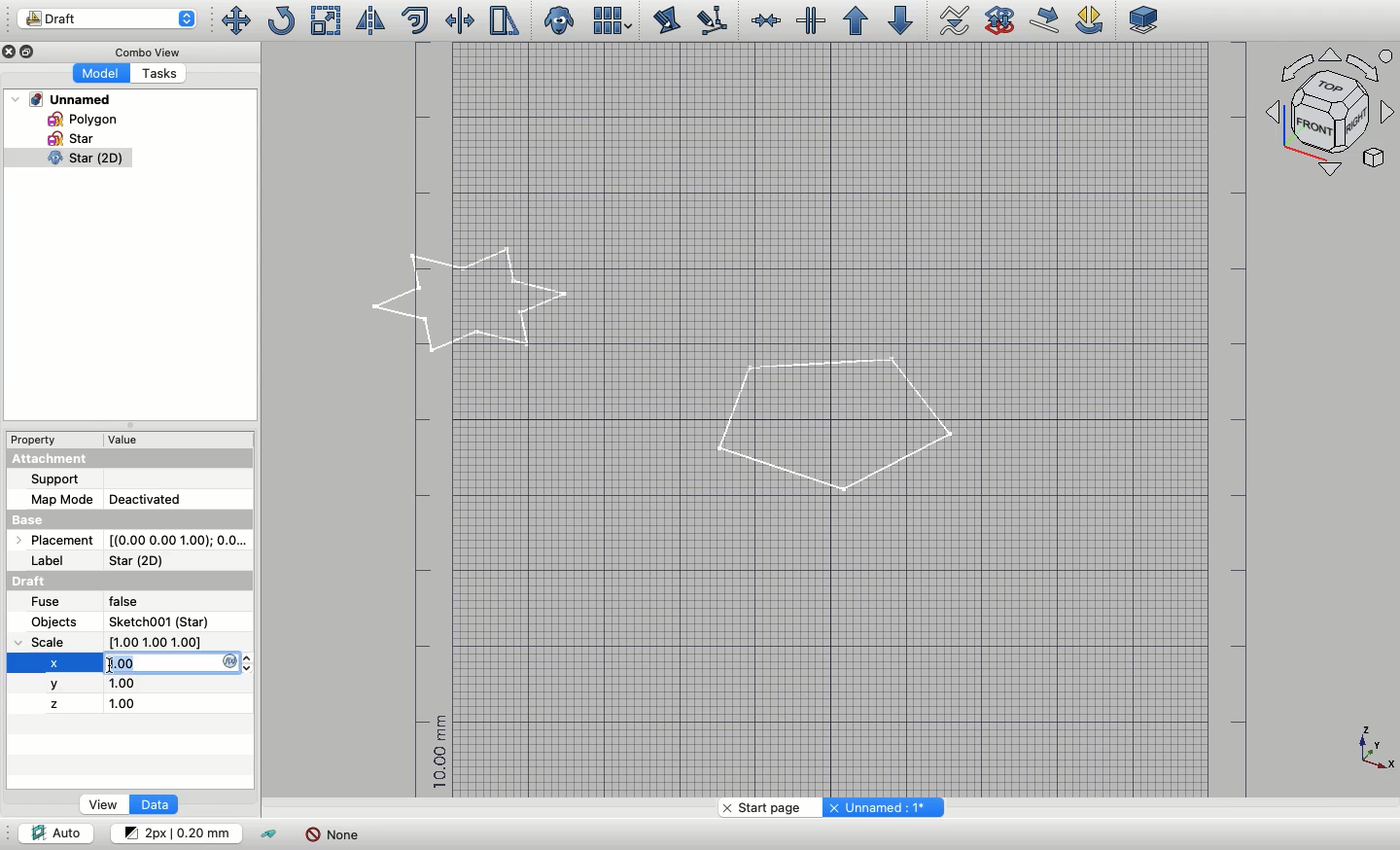  What do you see at coordinates (368, 20) in the screenshot?
I see `Mirror` at bounding box center [368, 20].